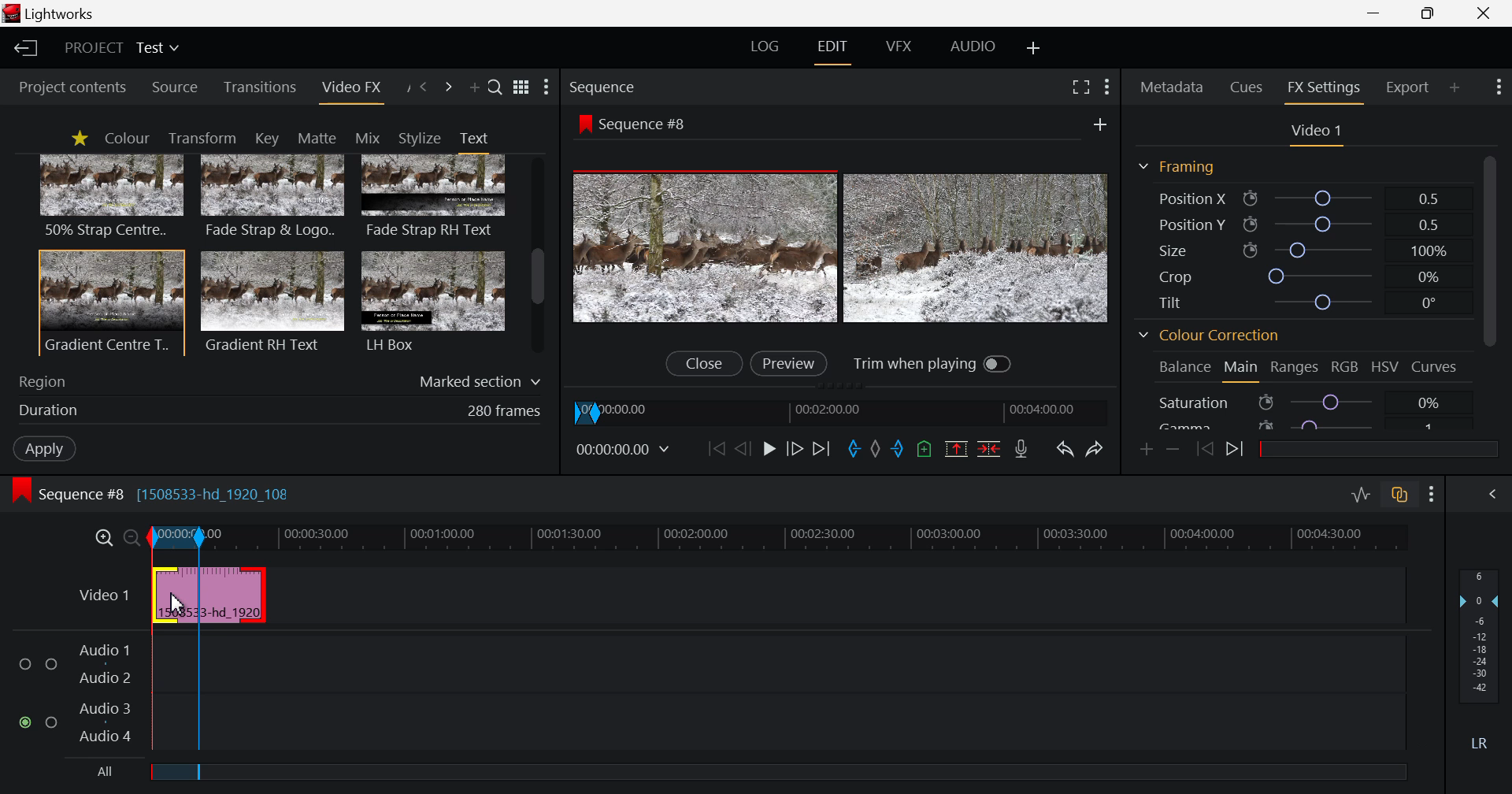 The height and width of the screenshot is (794, 1512). Describe the element at coordinates (843, 248) in the screenshot. I see `Preview Altered` at that location.